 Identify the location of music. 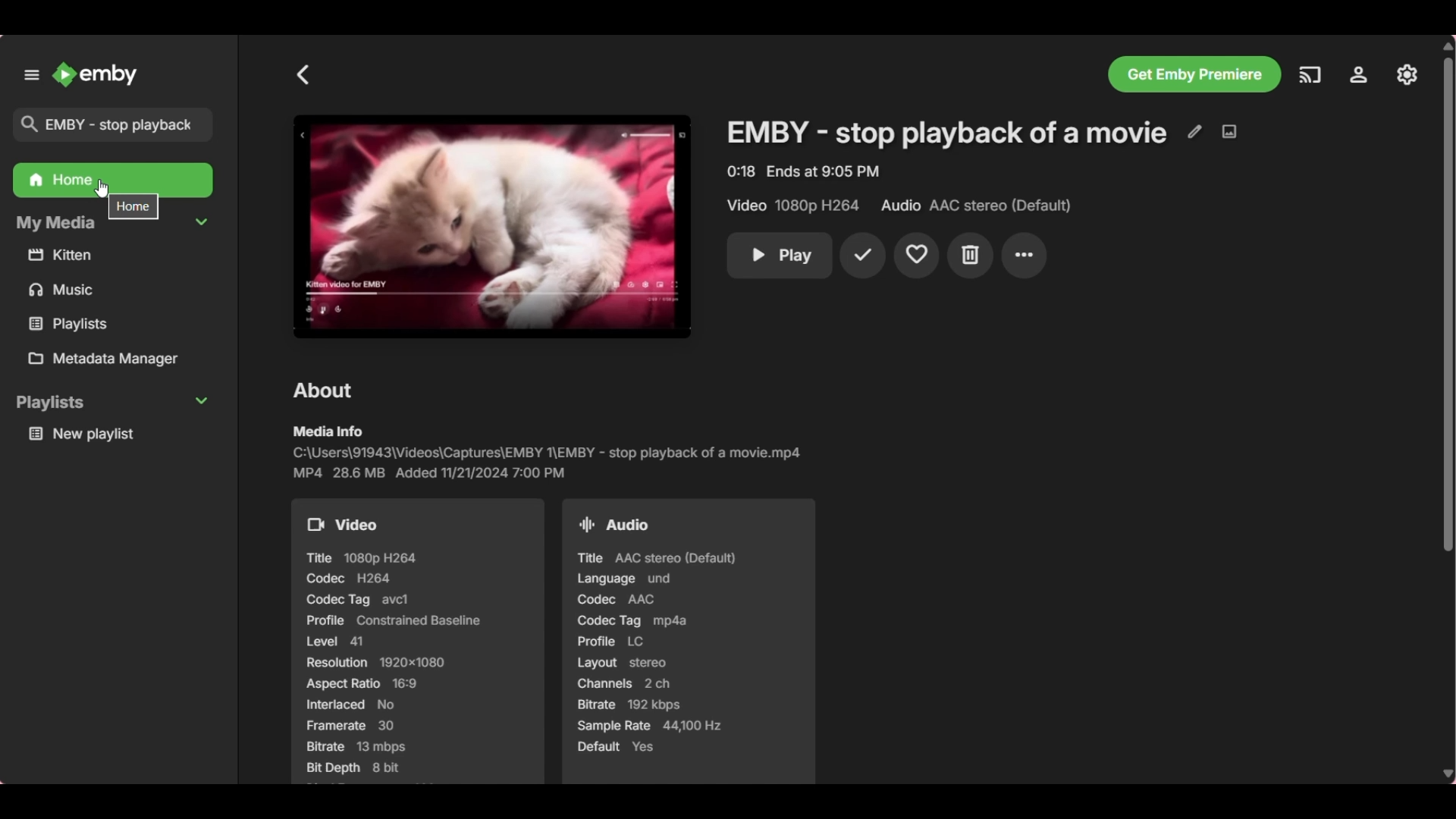
(115, 291).